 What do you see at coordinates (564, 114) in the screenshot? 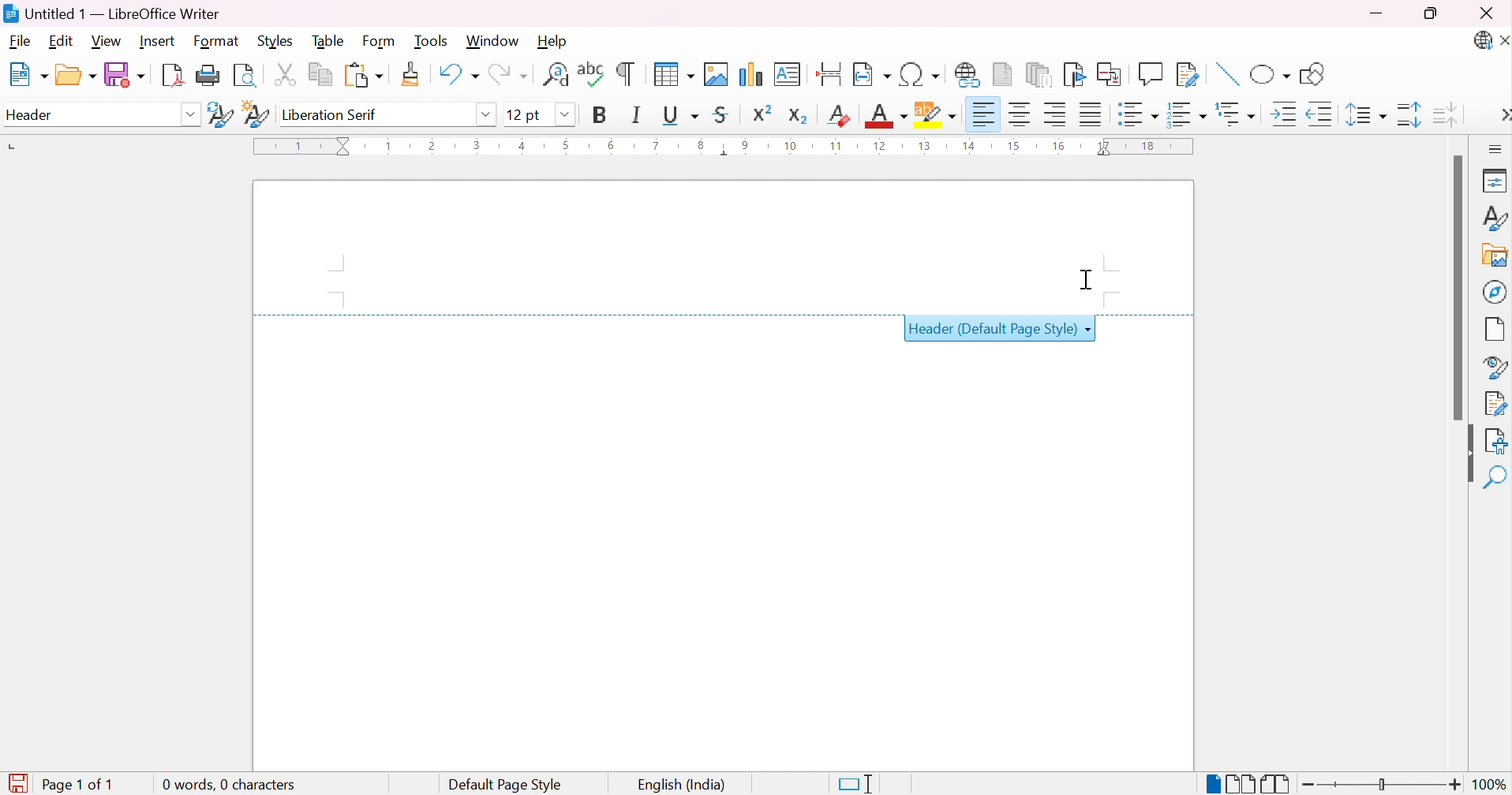
I see `Drop down` at bounding box center [564, 114].